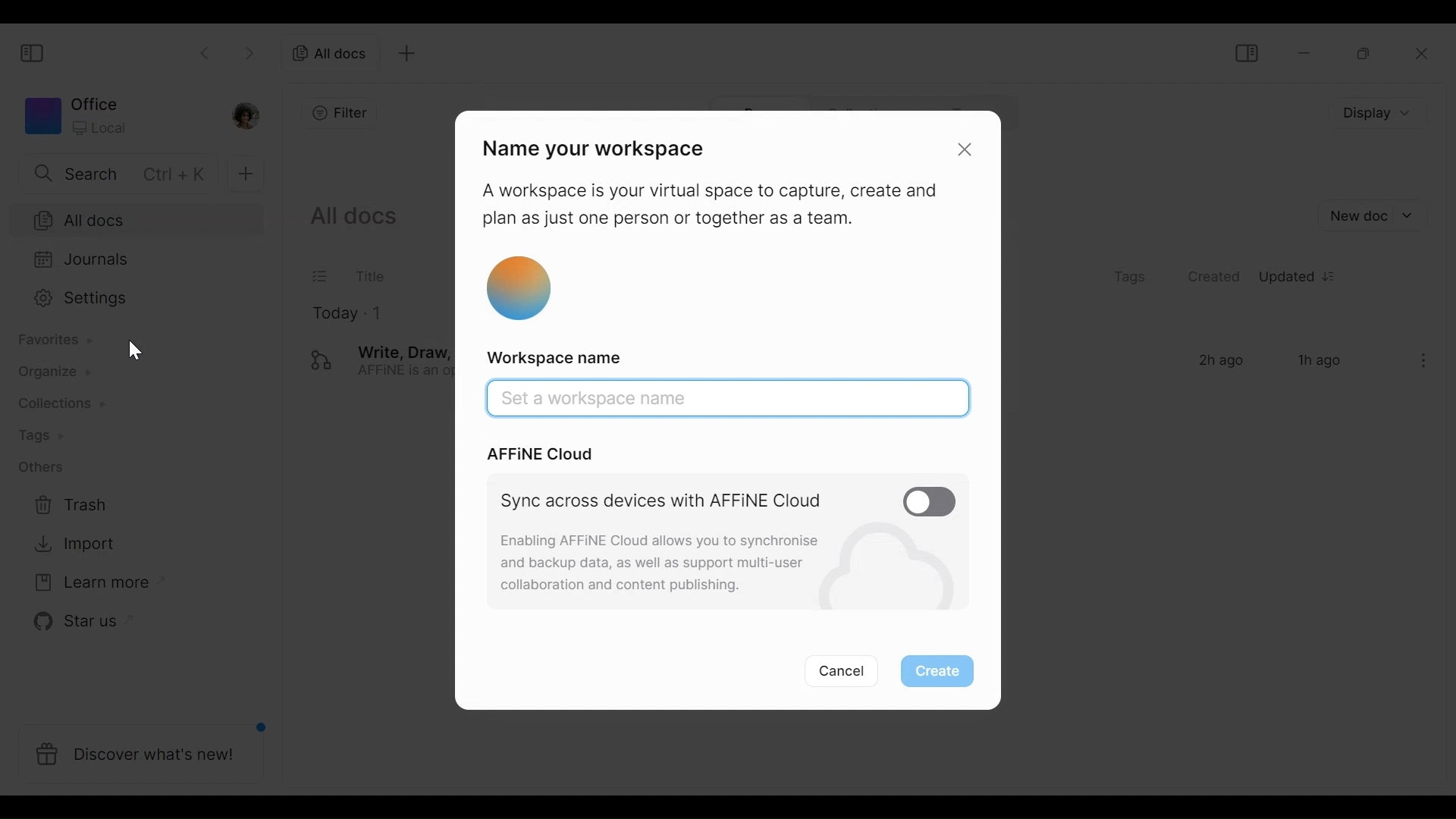 Image resolution: width=1456 pixels, height=819 pixels. What do you see at coordinates (113, 174) in the screenshot?
I see `Search bar` at bounding box center [113, 174].